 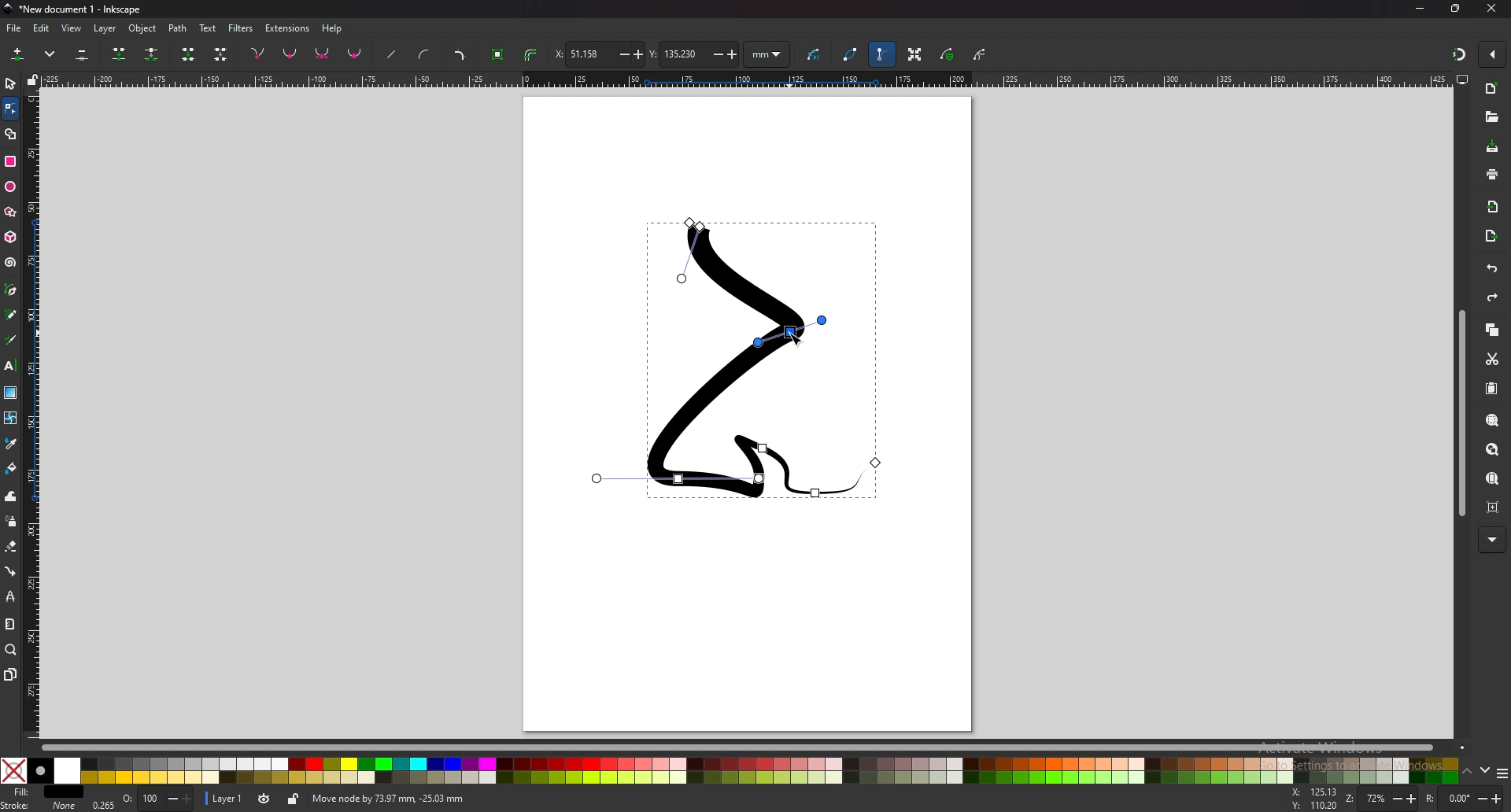 What do you see at coordinates (1491, 119) in the screenshot?
I see `open` at bounding box center [1491, 119].